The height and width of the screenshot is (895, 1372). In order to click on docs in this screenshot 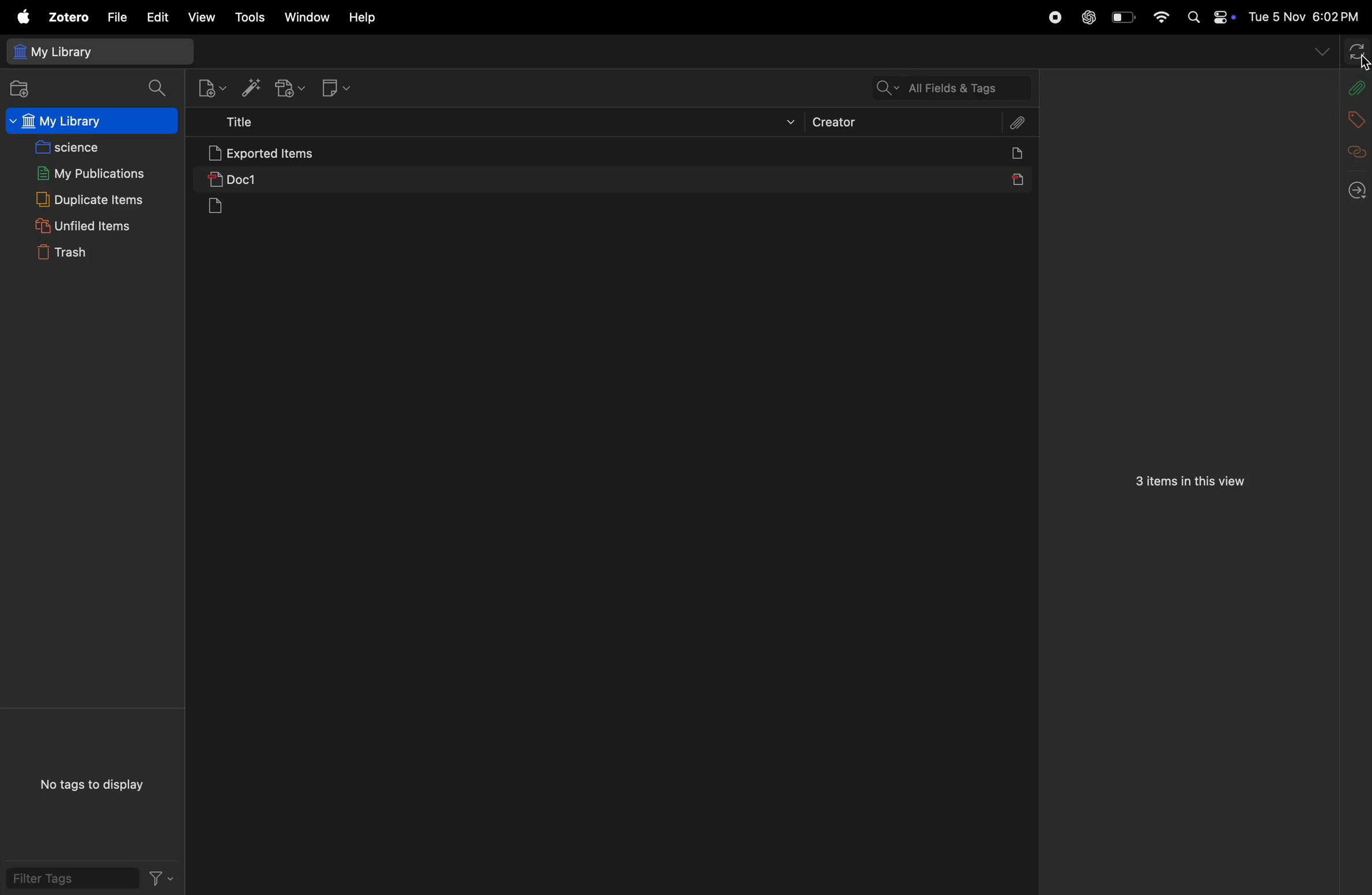, I will do `click(1027, 153)`.